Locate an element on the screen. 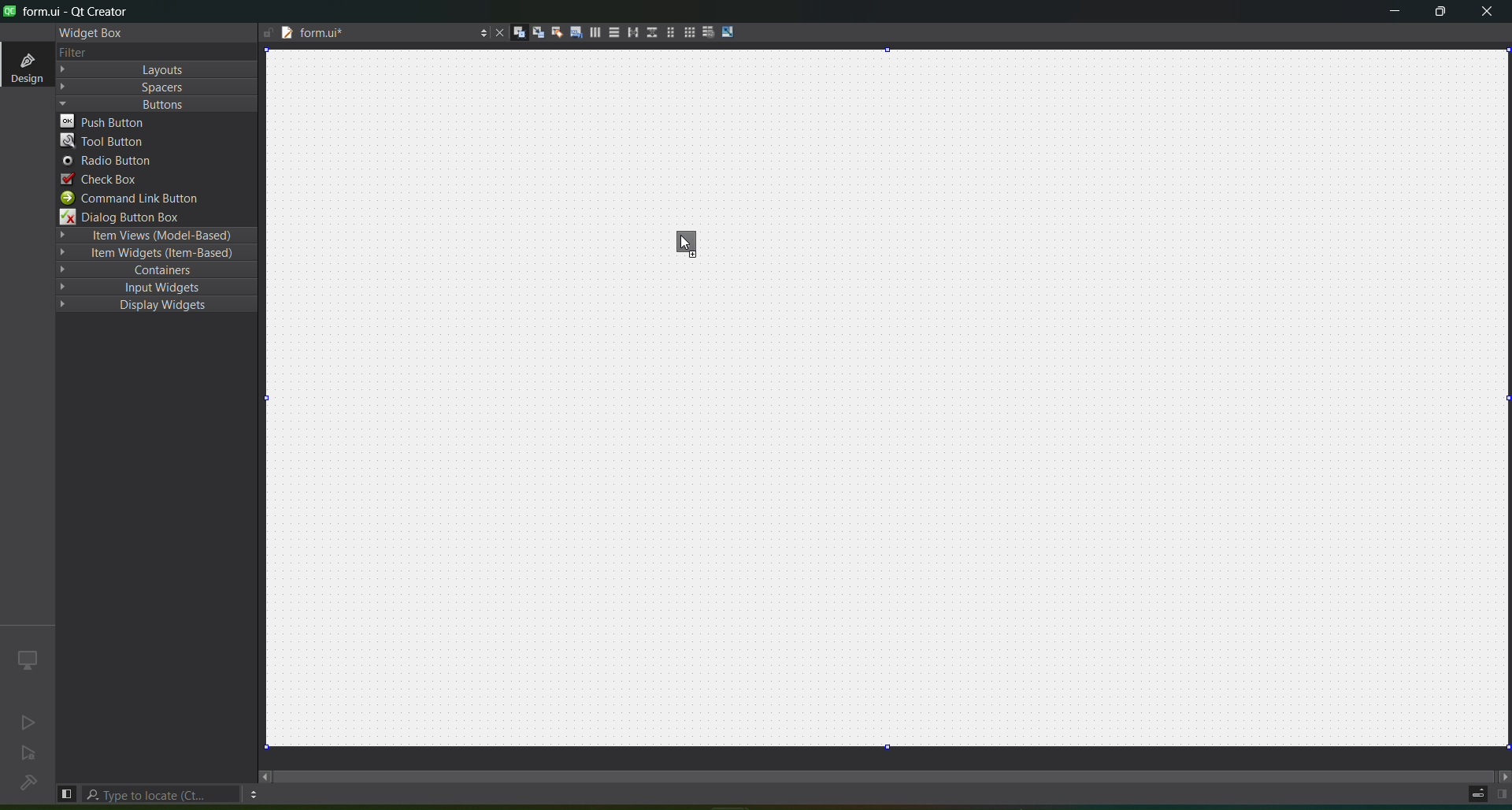 This screenshot has height=810, width=1512. progress details is located at coordinates (1469, 797).